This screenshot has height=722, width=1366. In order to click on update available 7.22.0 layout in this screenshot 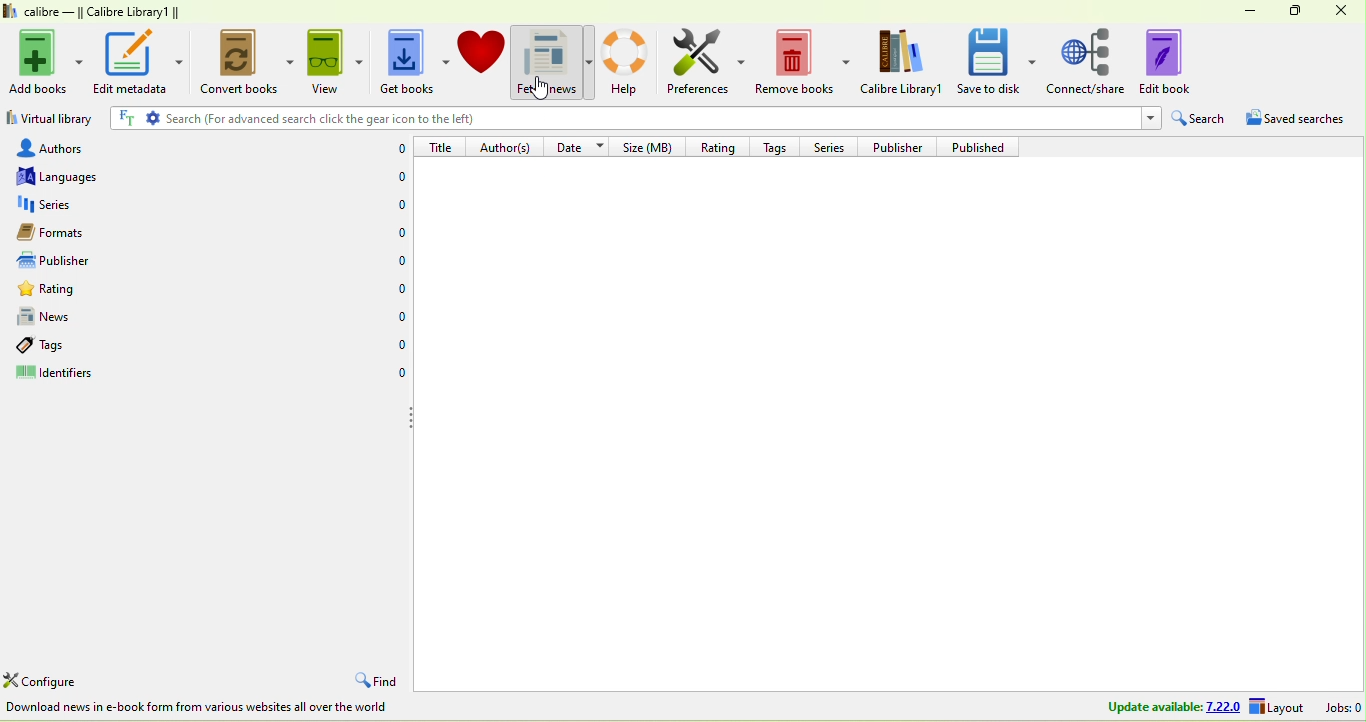, I will do `click(1166, 707)`.